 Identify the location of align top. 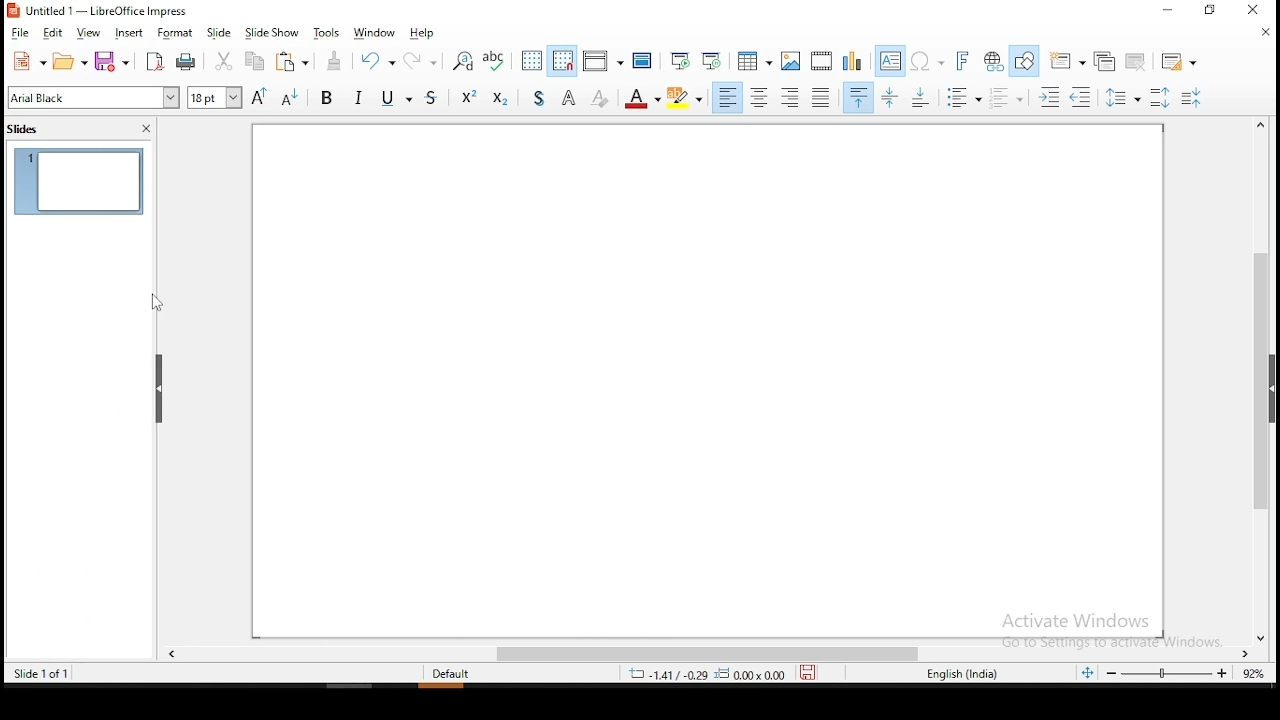
(859, 97).